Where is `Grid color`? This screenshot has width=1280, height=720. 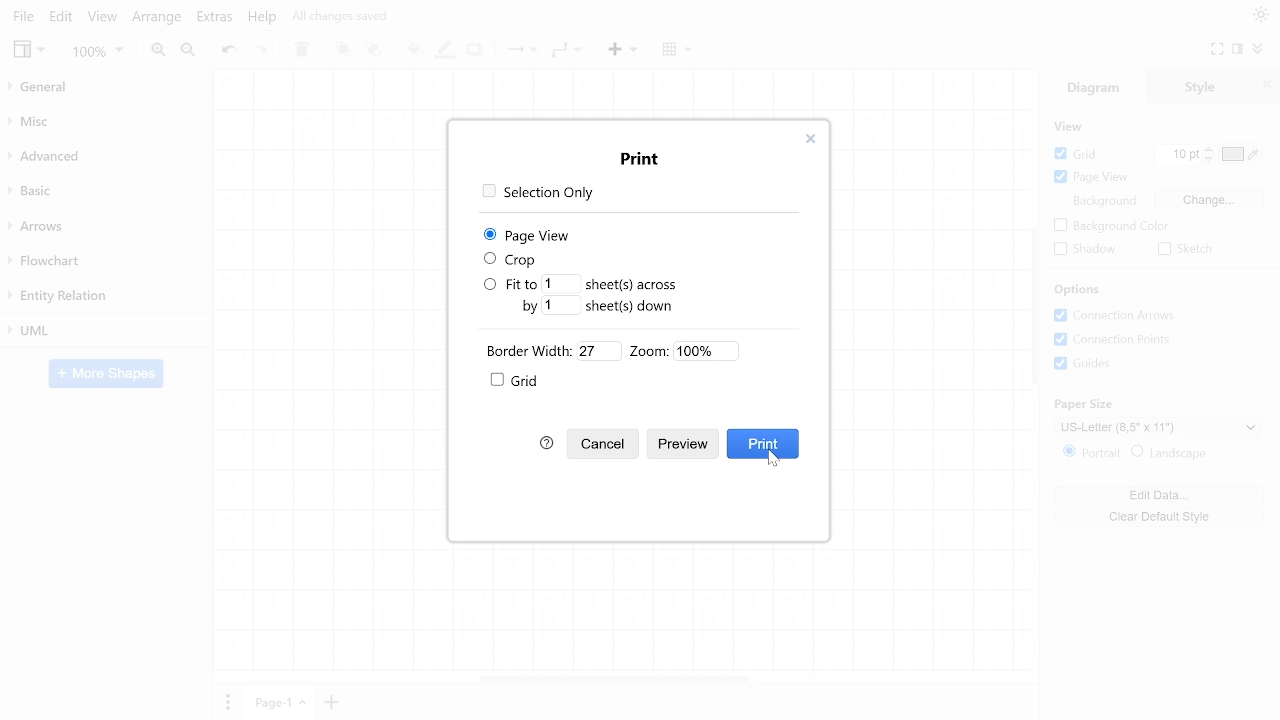 Grid color is located at coordinates (1242, 155).